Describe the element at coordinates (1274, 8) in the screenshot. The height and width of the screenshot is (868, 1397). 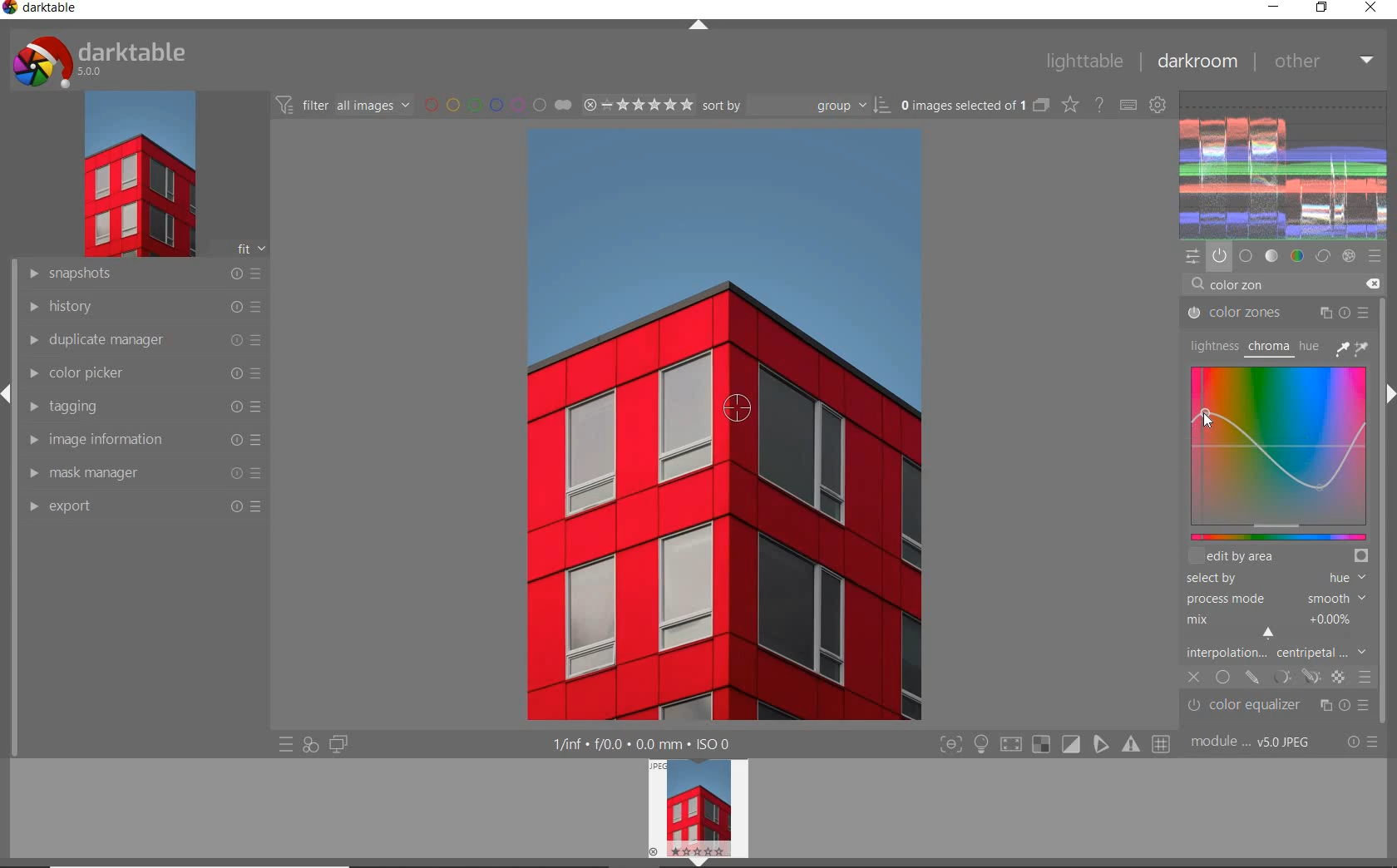
I see `minimize` at that location.